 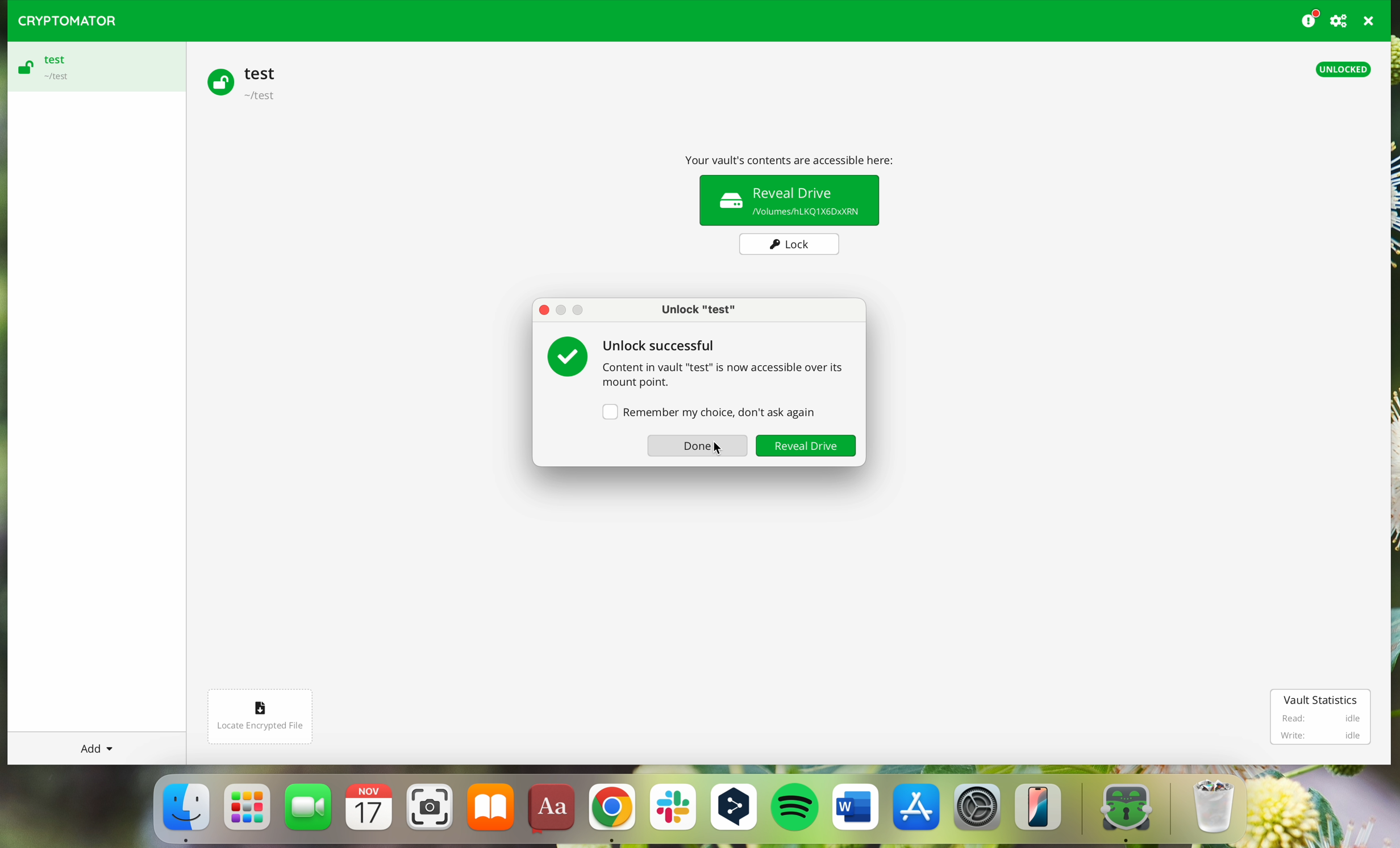 I want to click on iBooks, so click(x=491, y=811).